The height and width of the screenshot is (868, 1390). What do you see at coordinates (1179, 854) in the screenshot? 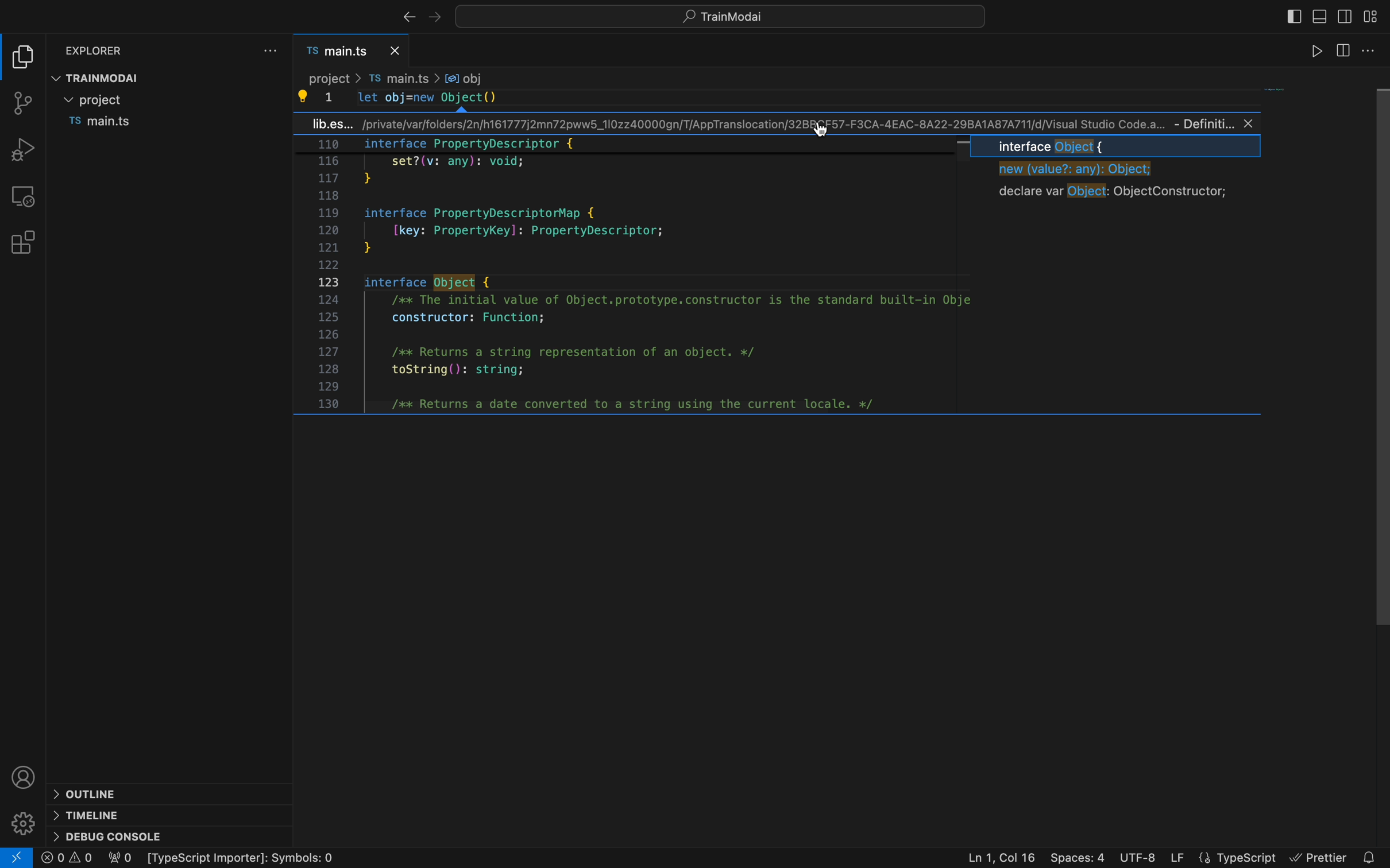
I see `LF` at bounding box center [1179, 854].